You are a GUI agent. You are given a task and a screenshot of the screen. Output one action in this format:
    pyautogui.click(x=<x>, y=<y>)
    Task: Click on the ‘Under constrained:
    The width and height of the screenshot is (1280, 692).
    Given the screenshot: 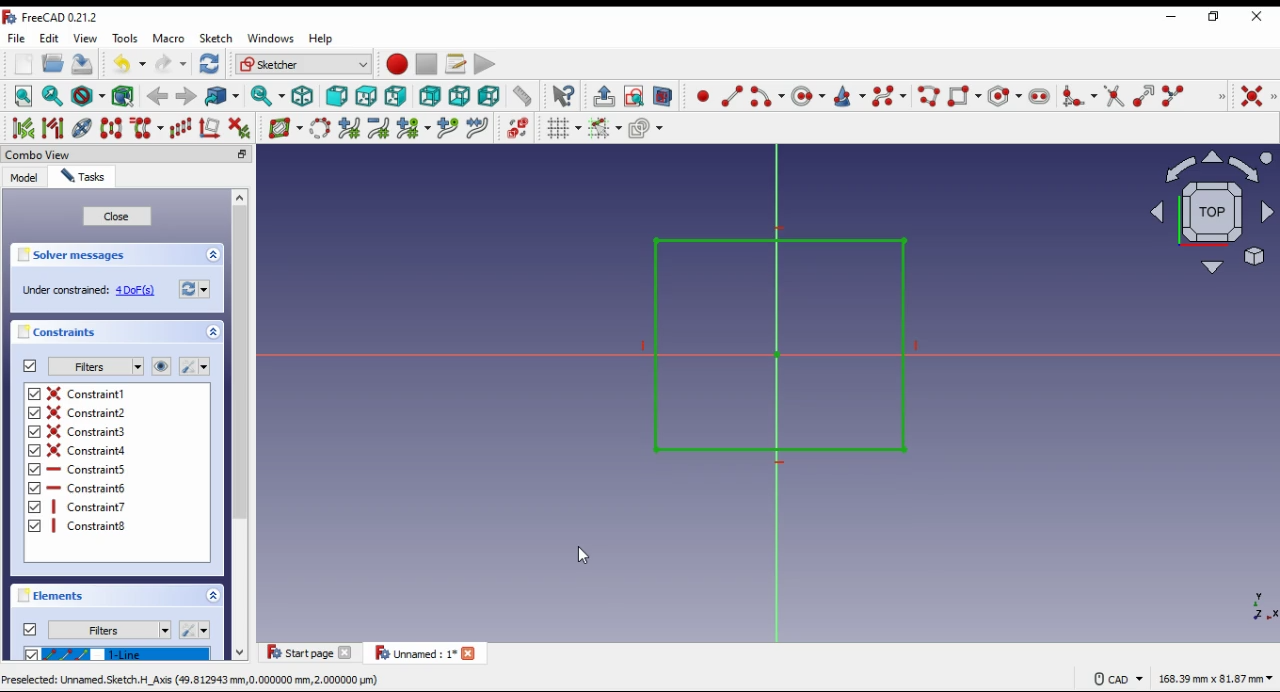 What is the action you would take?
    pyautogui.click(x=65, y=291)
    